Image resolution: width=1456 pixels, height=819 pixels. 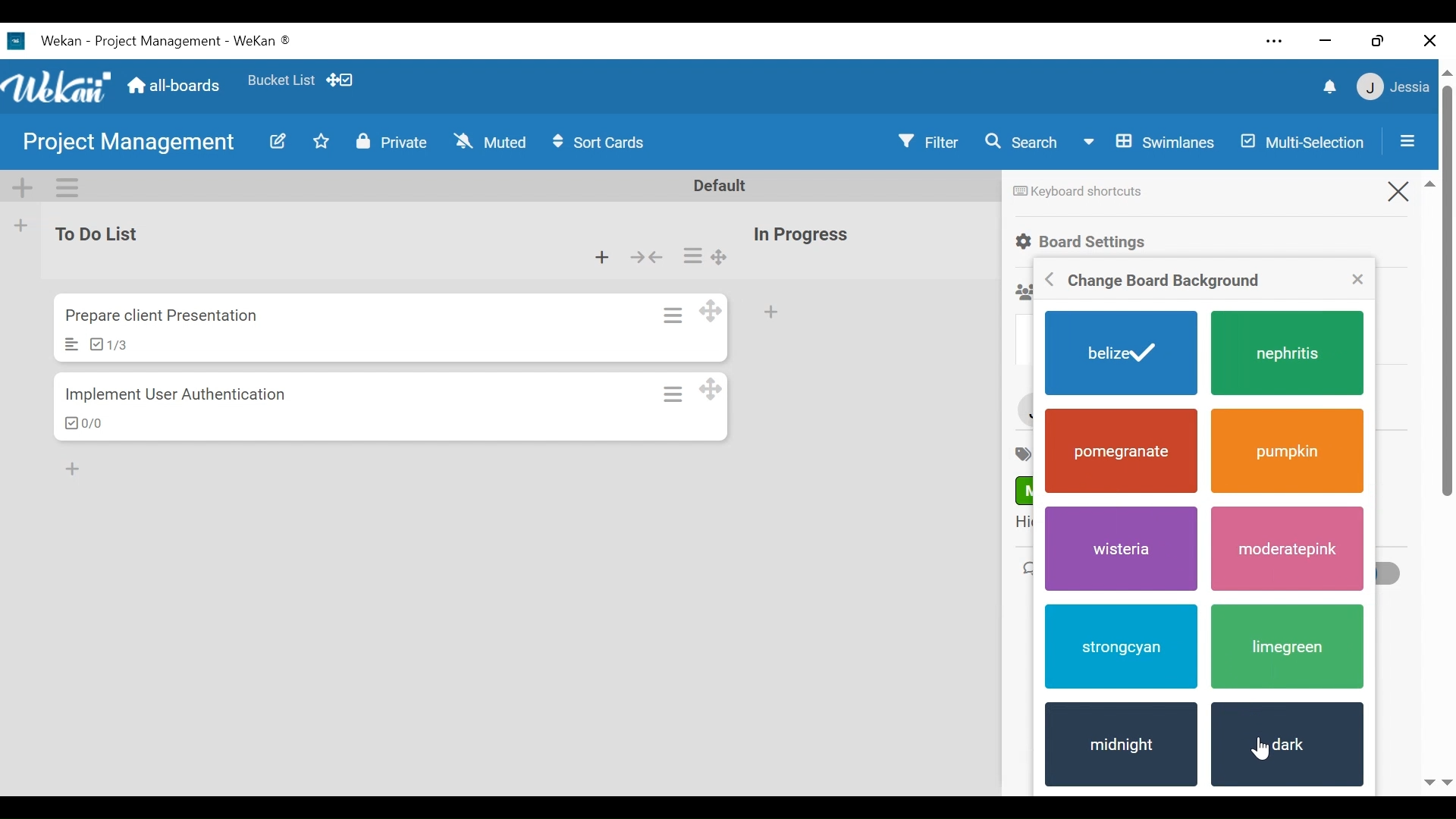 What do you see at coordinates (1115, 547) in the screenshot?
I see `wisteria` at bounding box center [1115, 547].